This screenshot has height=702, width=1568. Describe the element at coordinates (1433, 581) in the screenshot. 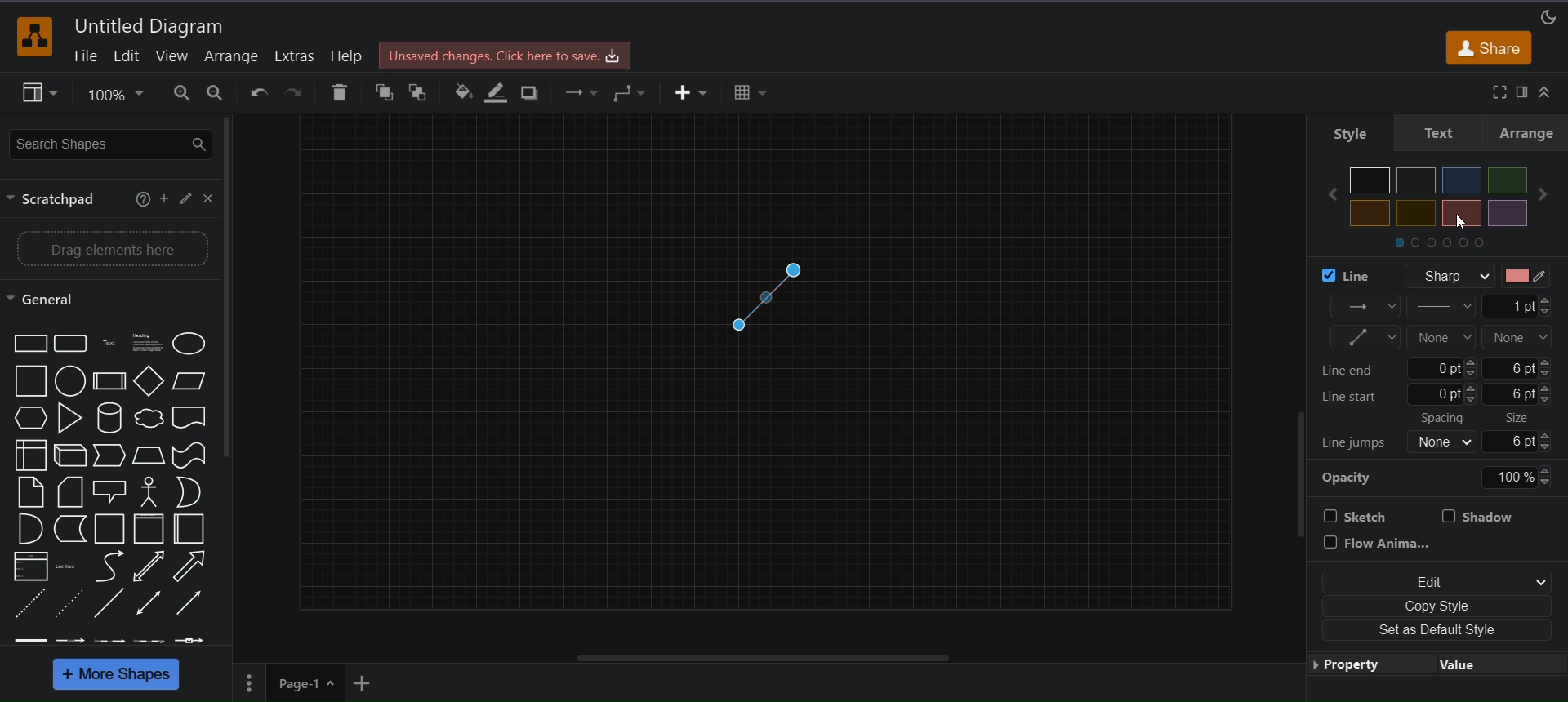

I see `edit` at that location.